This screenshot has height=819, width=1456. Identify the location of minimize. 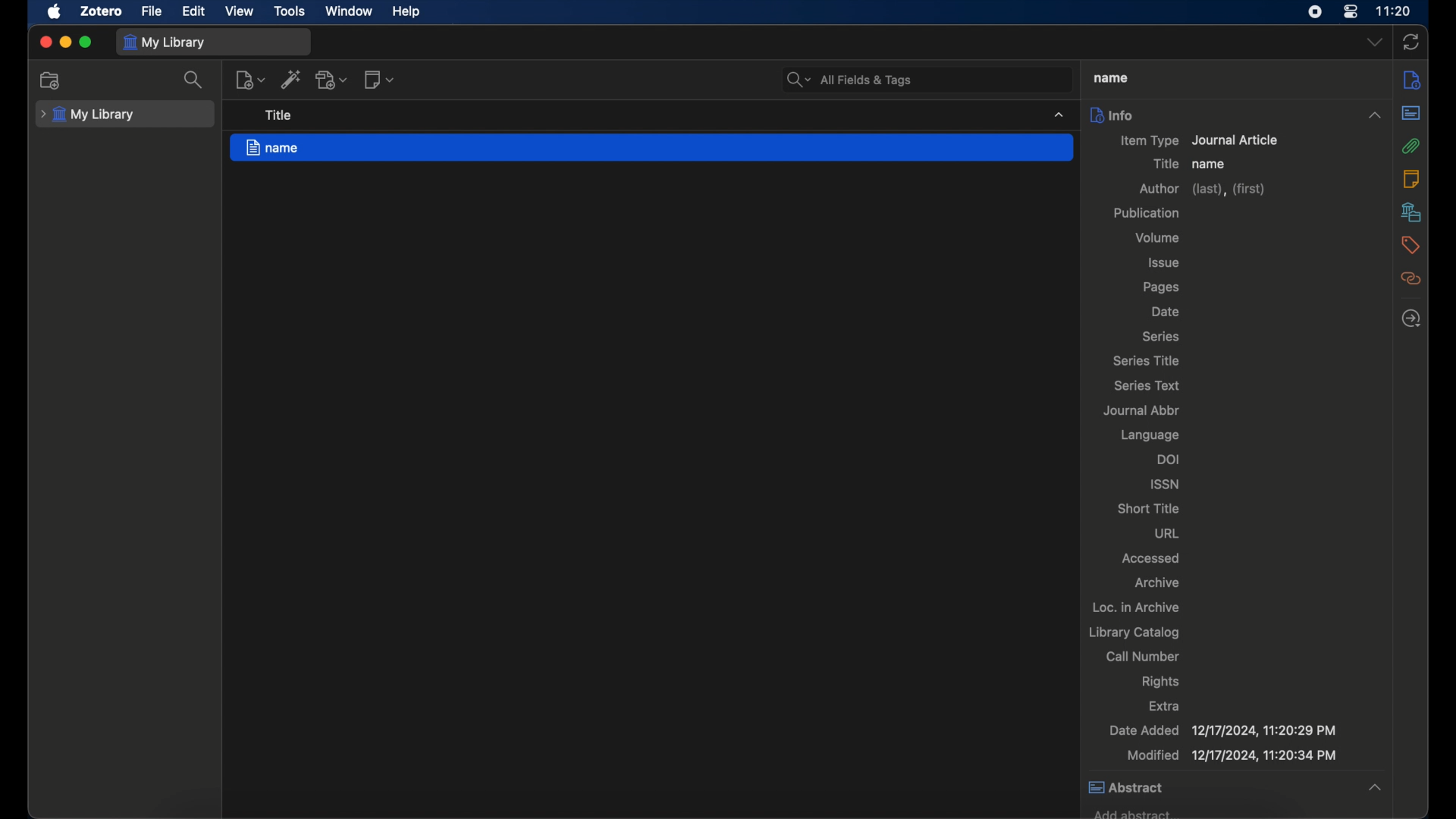
(64, 41).